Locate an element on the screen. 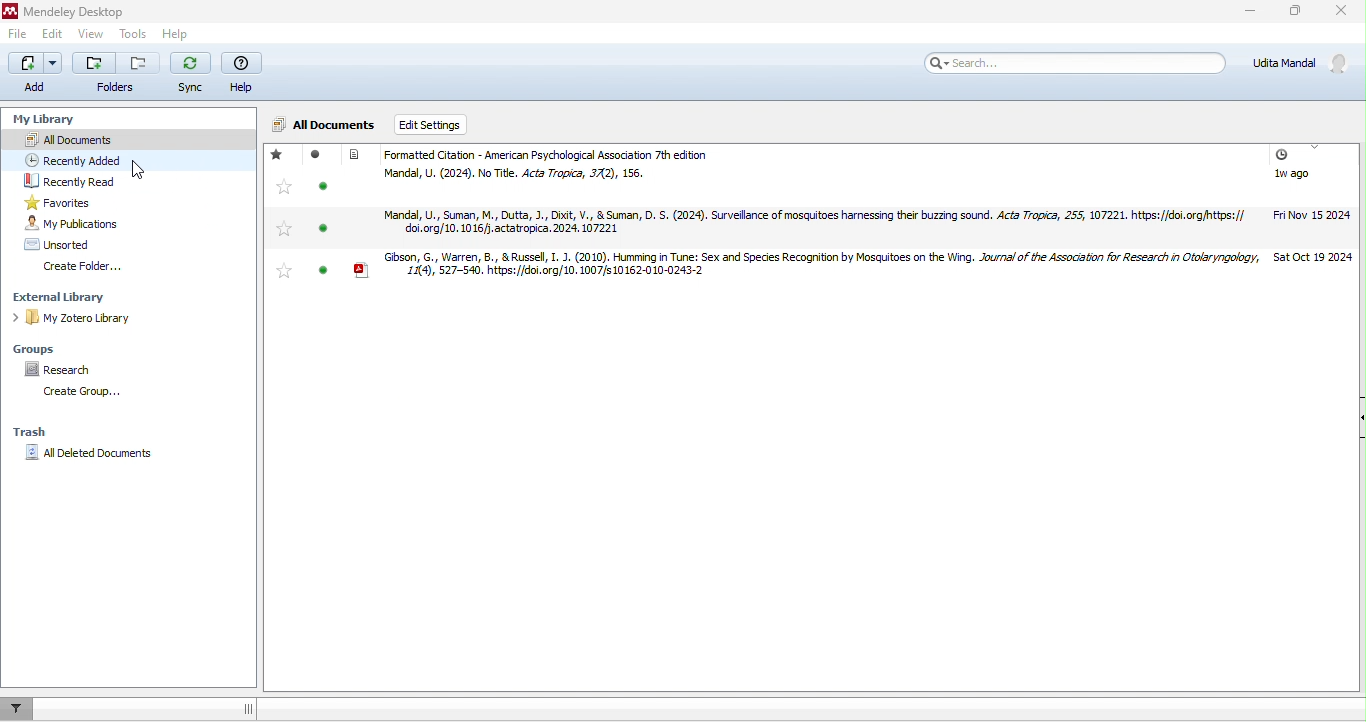 This screenshot has height=722, width=1366. favorites is located at coordinates (283, 186).